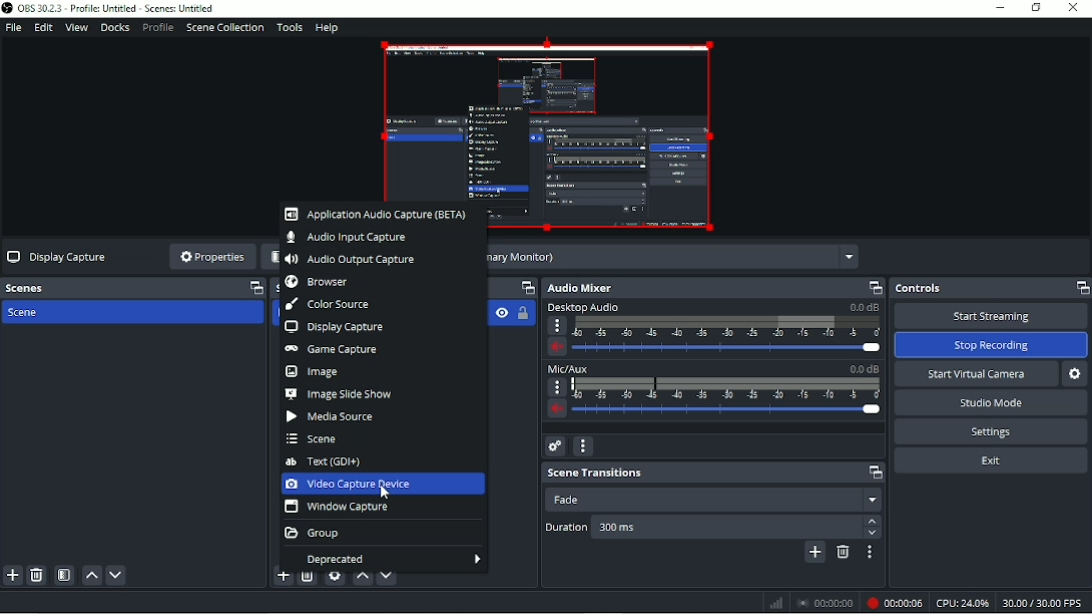 This screenshot has width=1092, height=614. Describe the element at coordinates (330, 417) in the screenshot. I see `Media source` at that location.